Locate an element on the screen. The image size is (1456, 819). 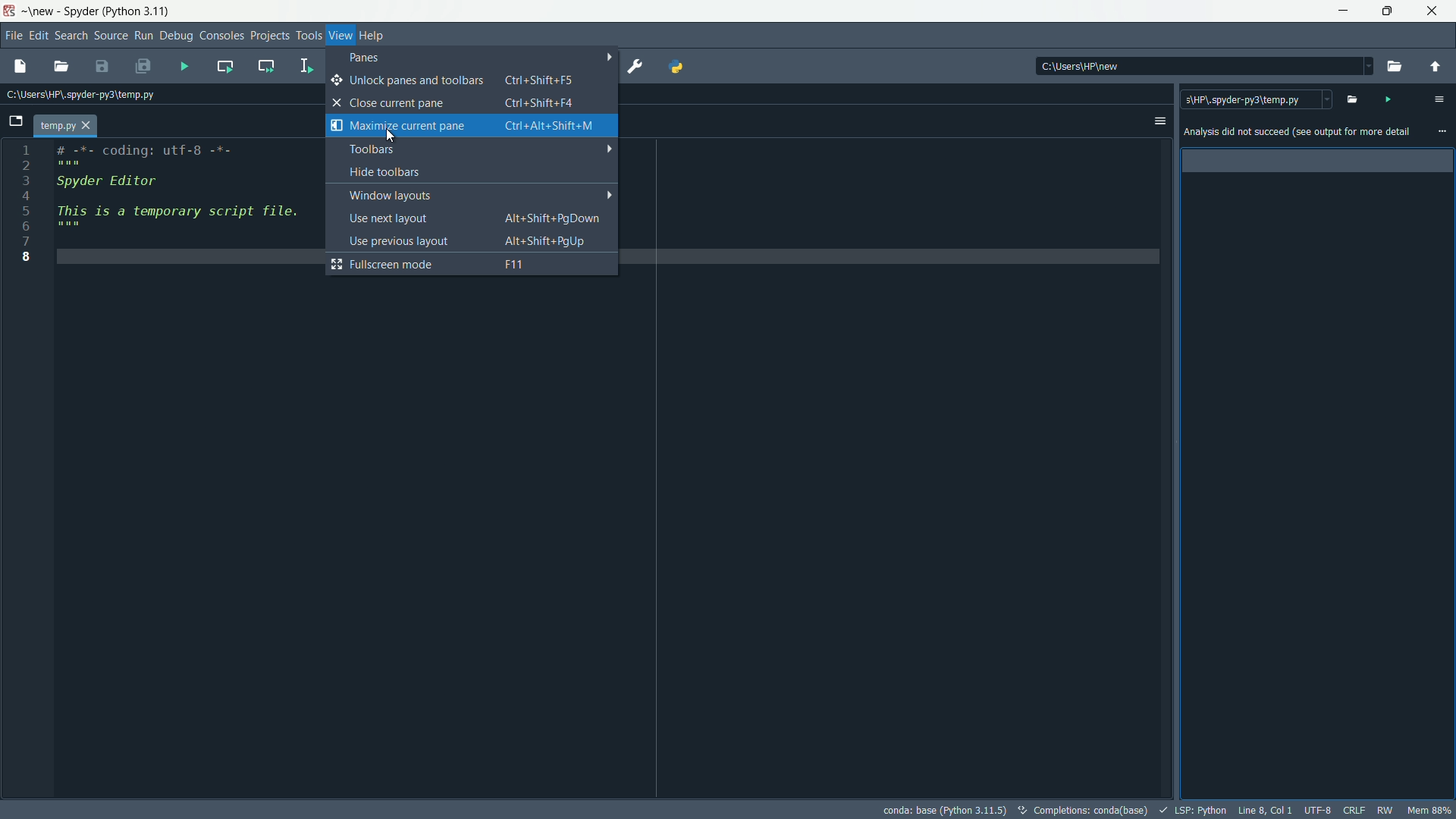
open file is located at coordinates (1352, 99).